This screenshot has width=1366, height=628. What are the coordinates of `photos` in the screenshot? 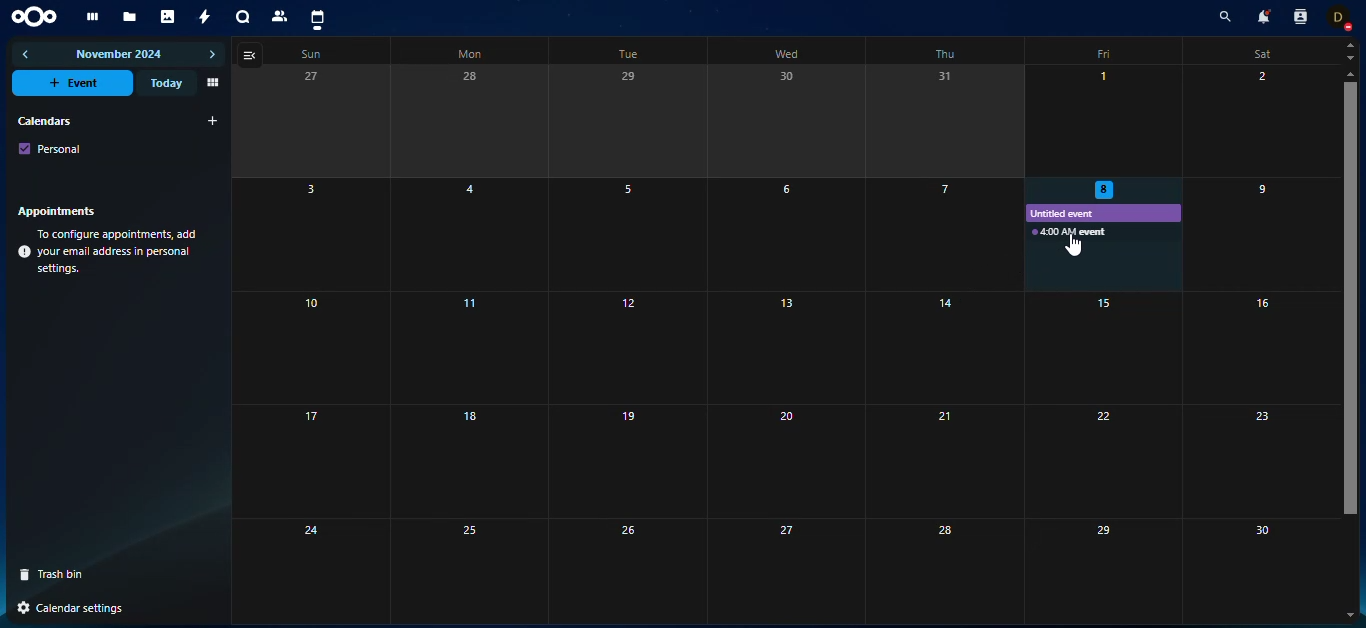 It's located at (169, 17).